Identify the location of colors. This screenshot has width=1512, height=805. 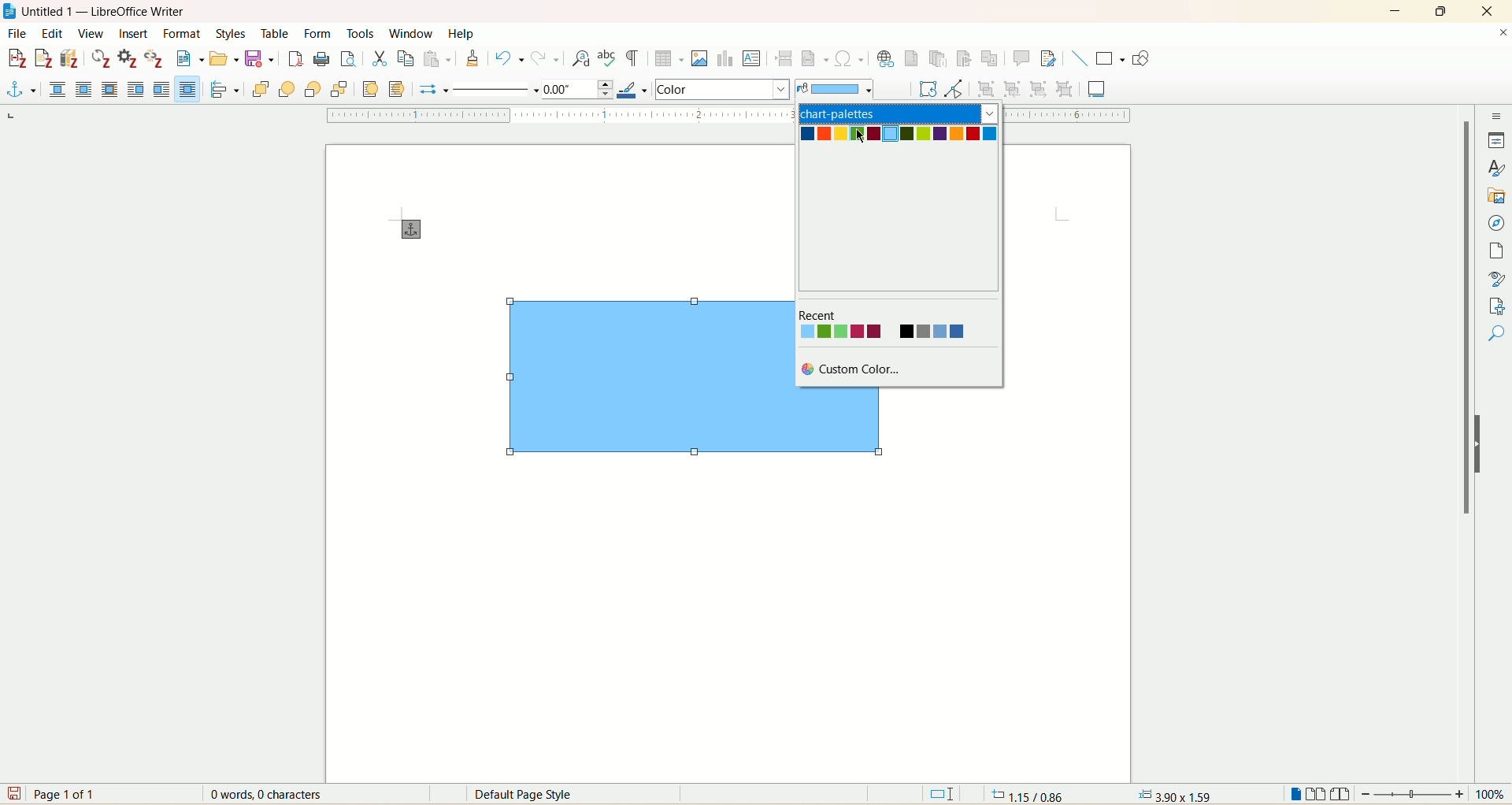
(724, 88).